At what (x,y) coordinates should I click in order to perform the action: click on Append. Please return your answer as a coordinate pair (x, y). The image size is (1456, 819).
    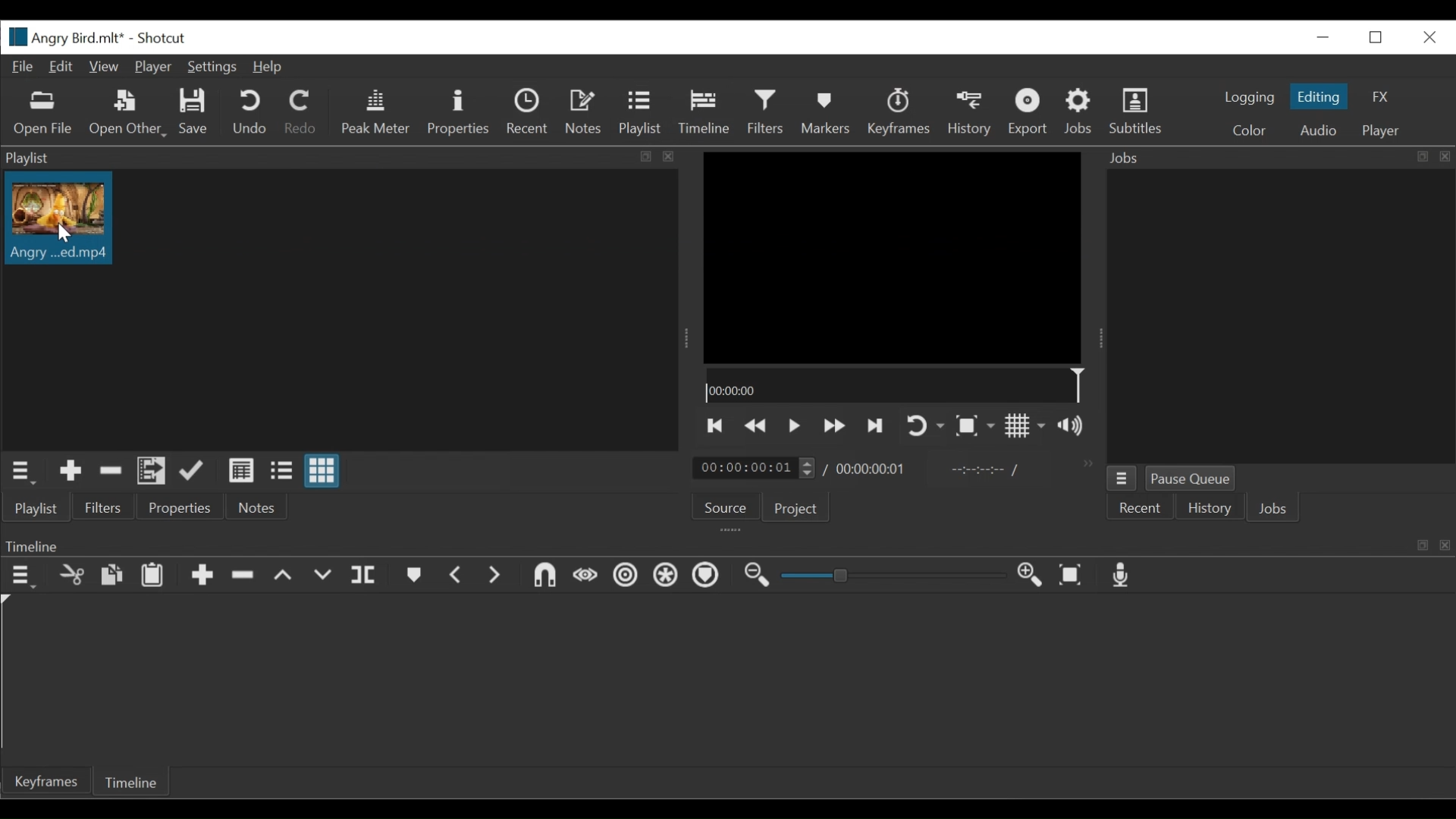
    Looking at the image, I should click on (194, 472).